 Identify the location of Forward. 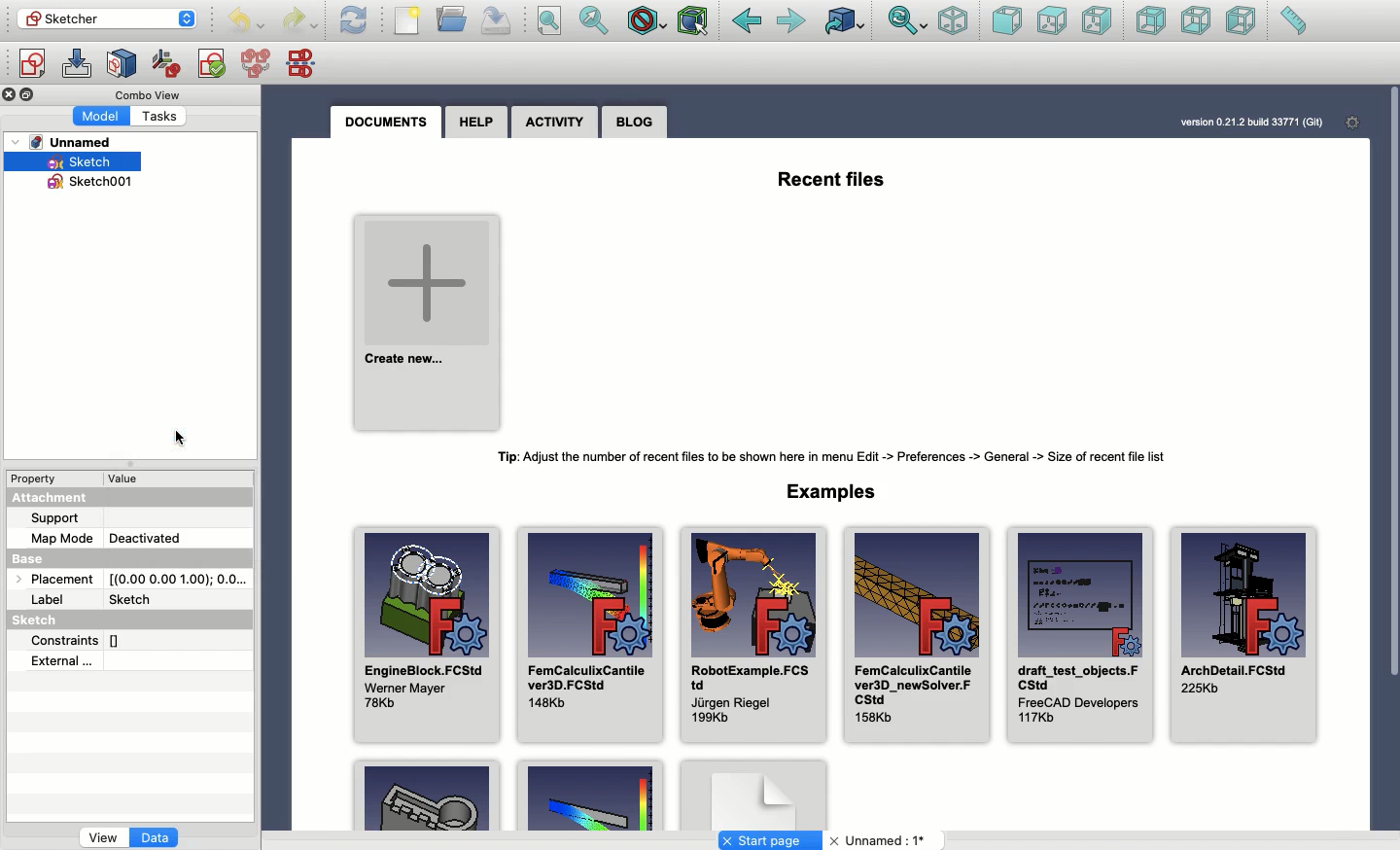
(793, 22).